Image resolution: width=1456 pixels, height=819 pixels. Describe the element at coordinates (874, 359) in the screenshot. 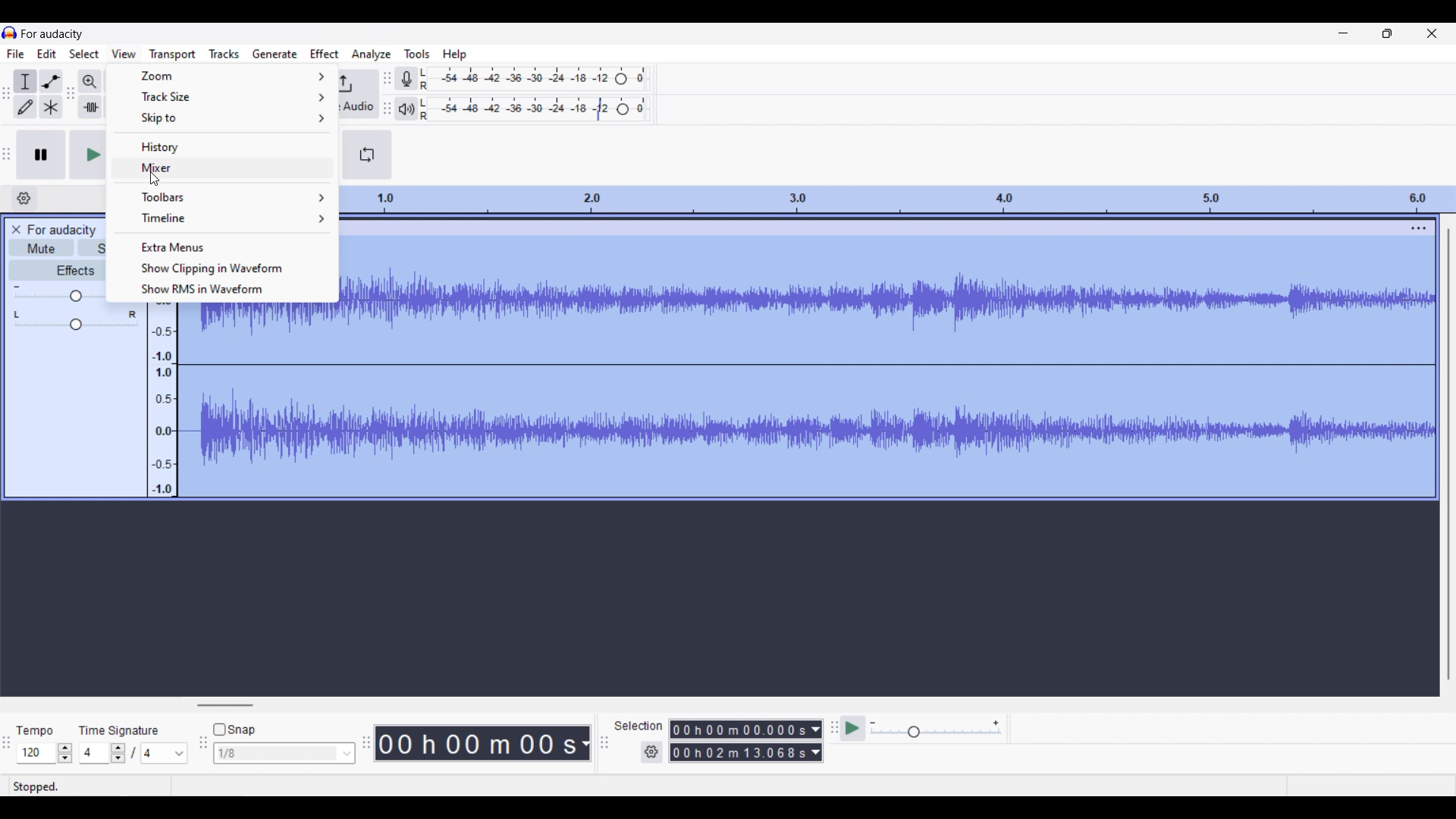

I see `Current track` at that location.